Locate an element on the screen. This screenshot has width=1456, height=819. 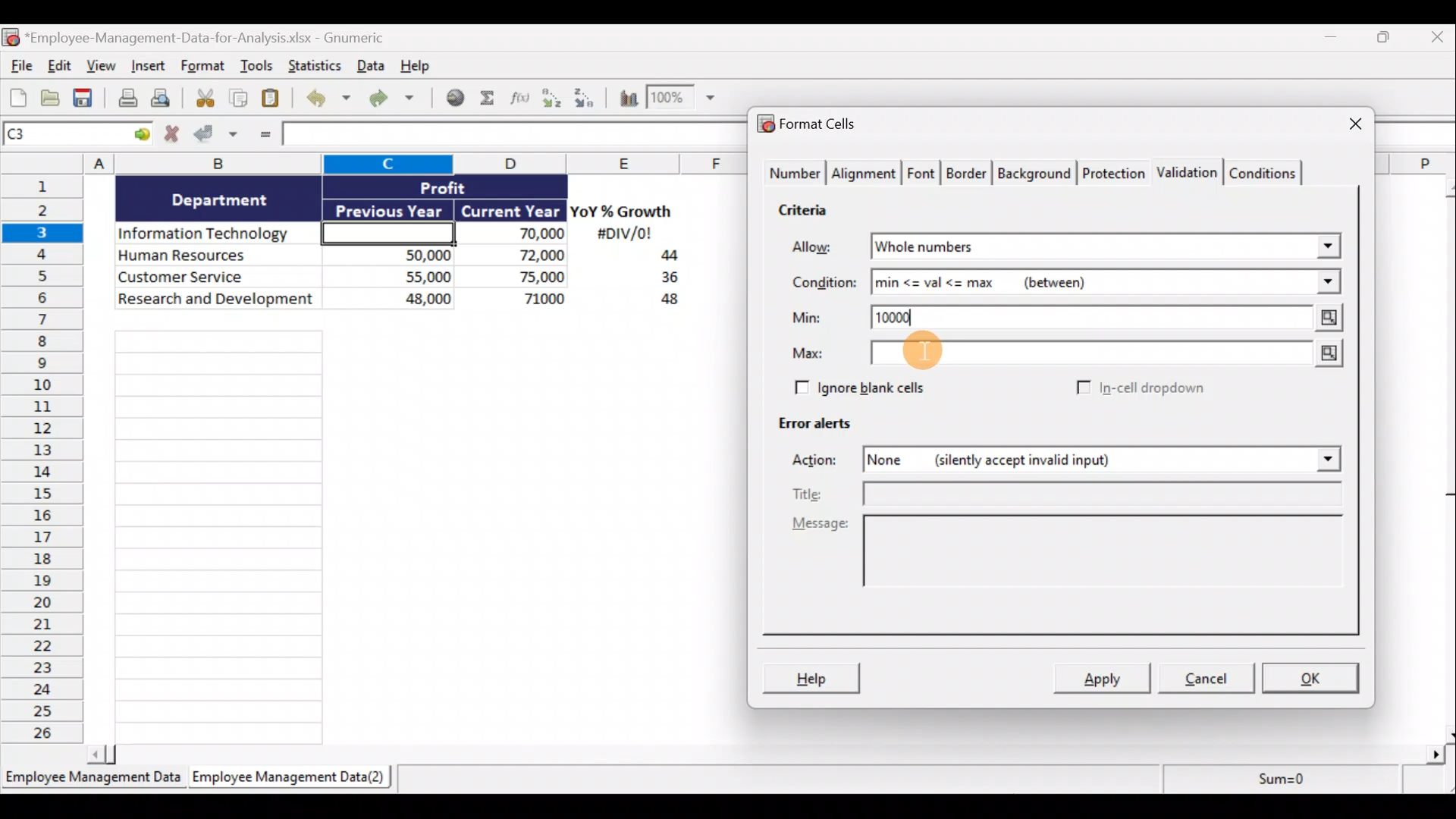
36 is located at coordinates (664, 280).